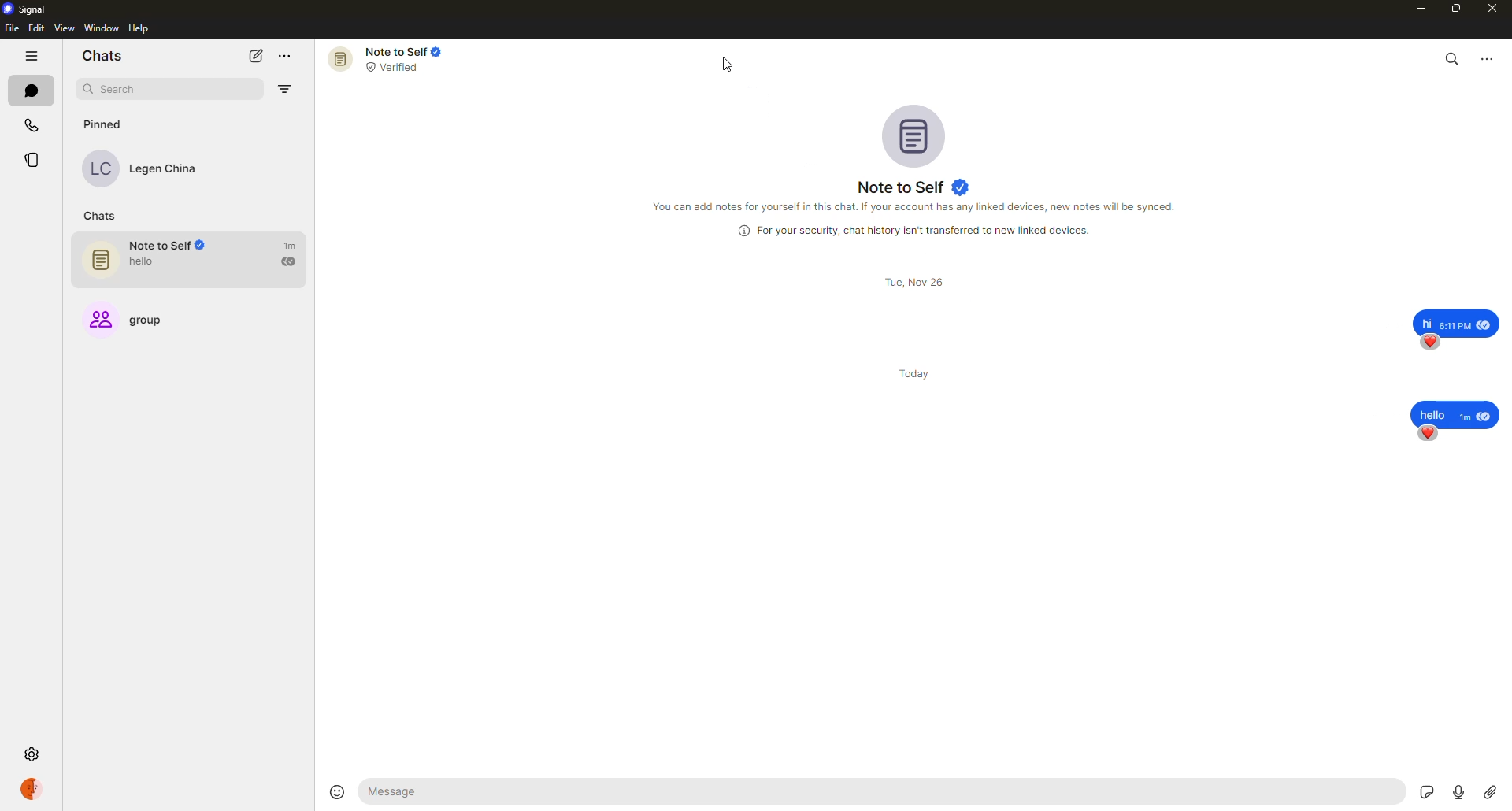 This screenshot has height=811, width=1512. Describe the element at coordinates (338, 791) in the screenshot. I see `emoji` at that location.